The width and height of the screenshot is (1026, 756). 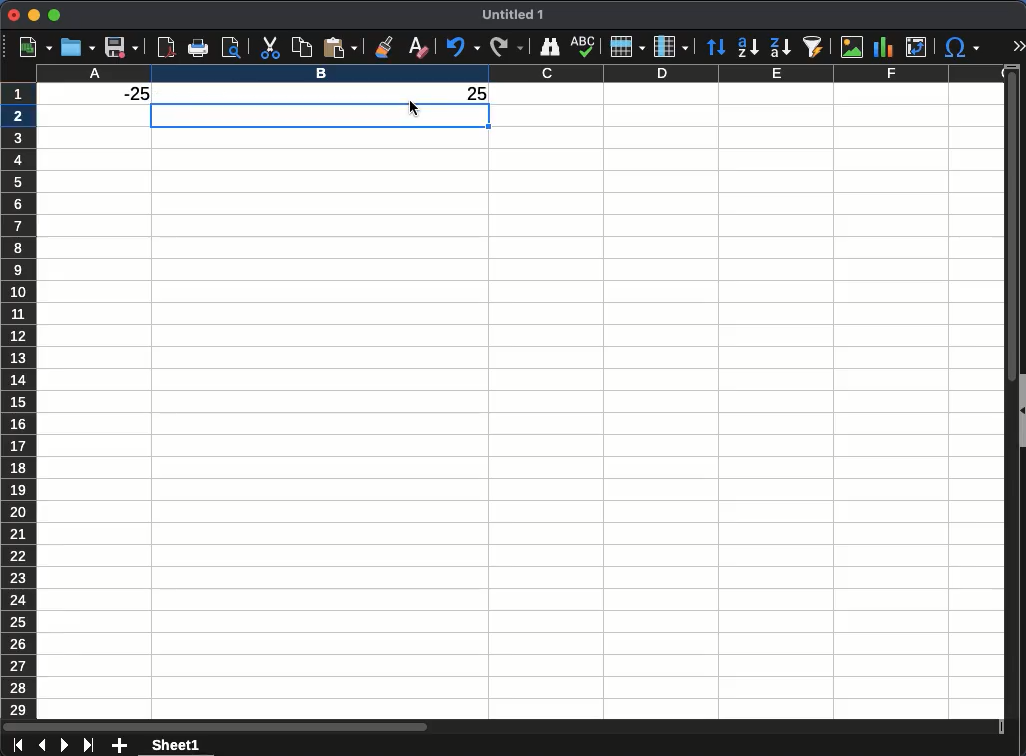 I want to click on cut, so click(x=269, y=47).